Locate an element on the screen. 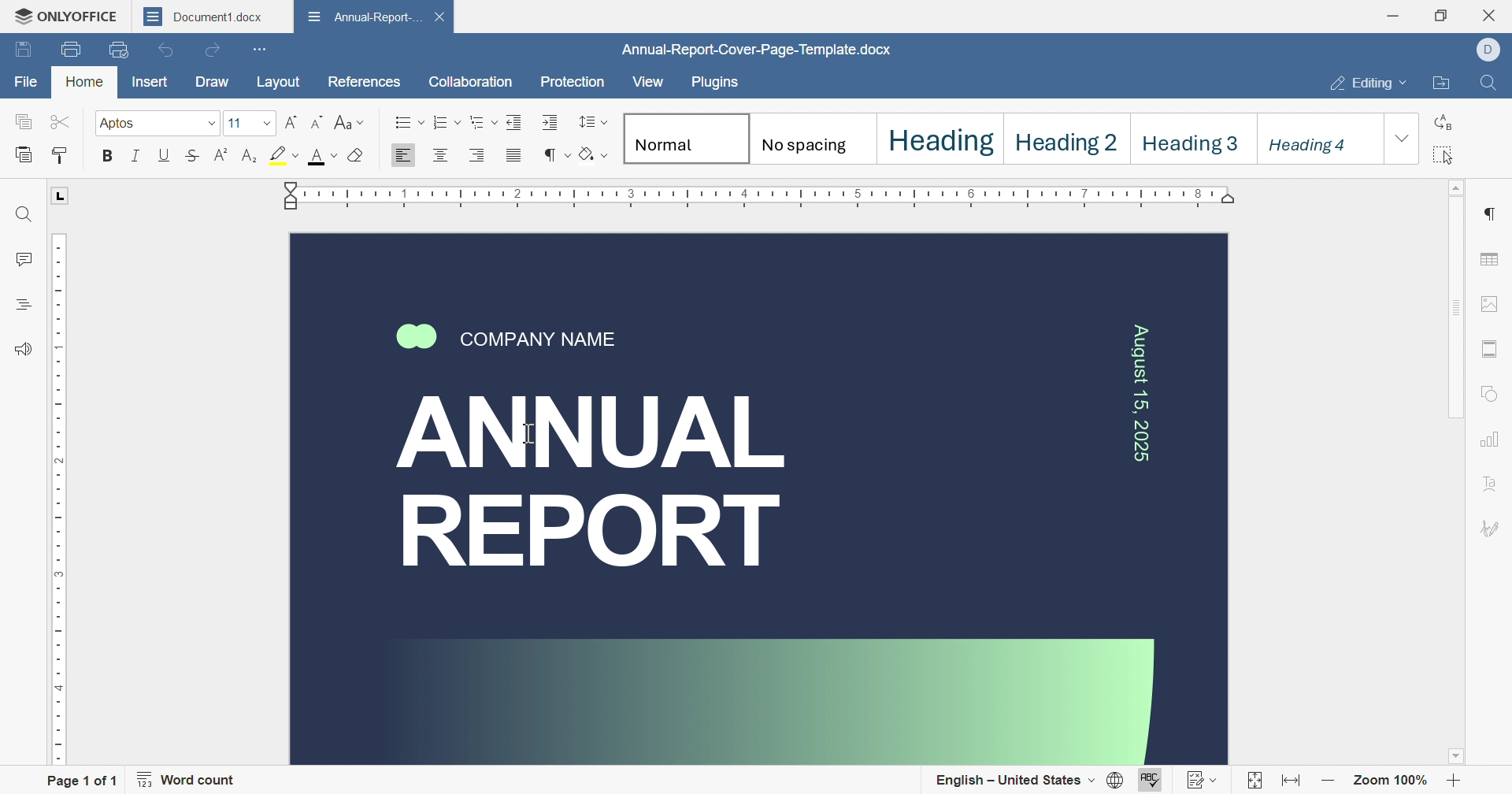 This screenshot has height=794, width=1512. Cover page is located at coordinates (759, 500).